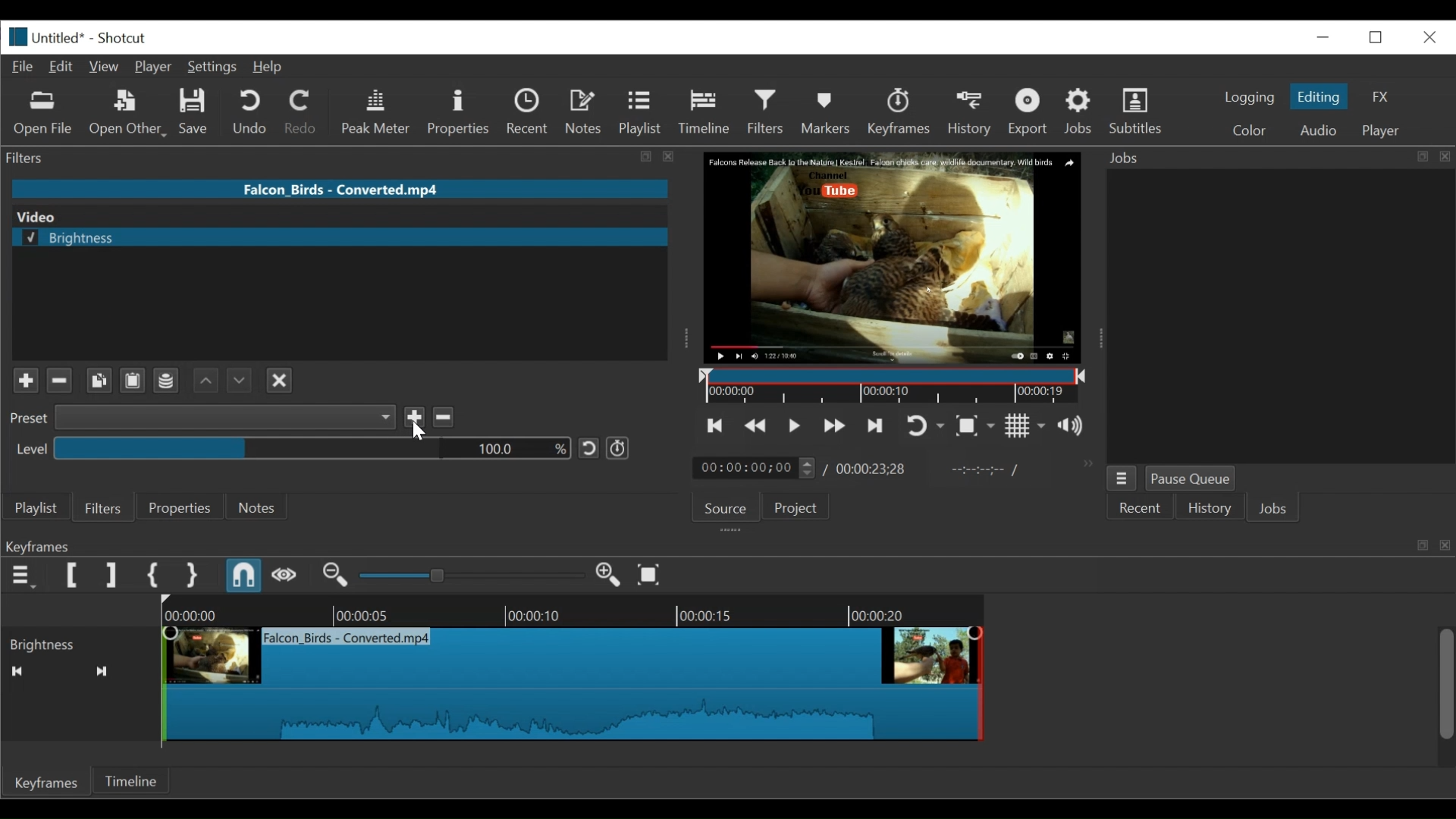 The width and height of the screenshot is (1456, 819). I want to click on File name, so click(340, 189).